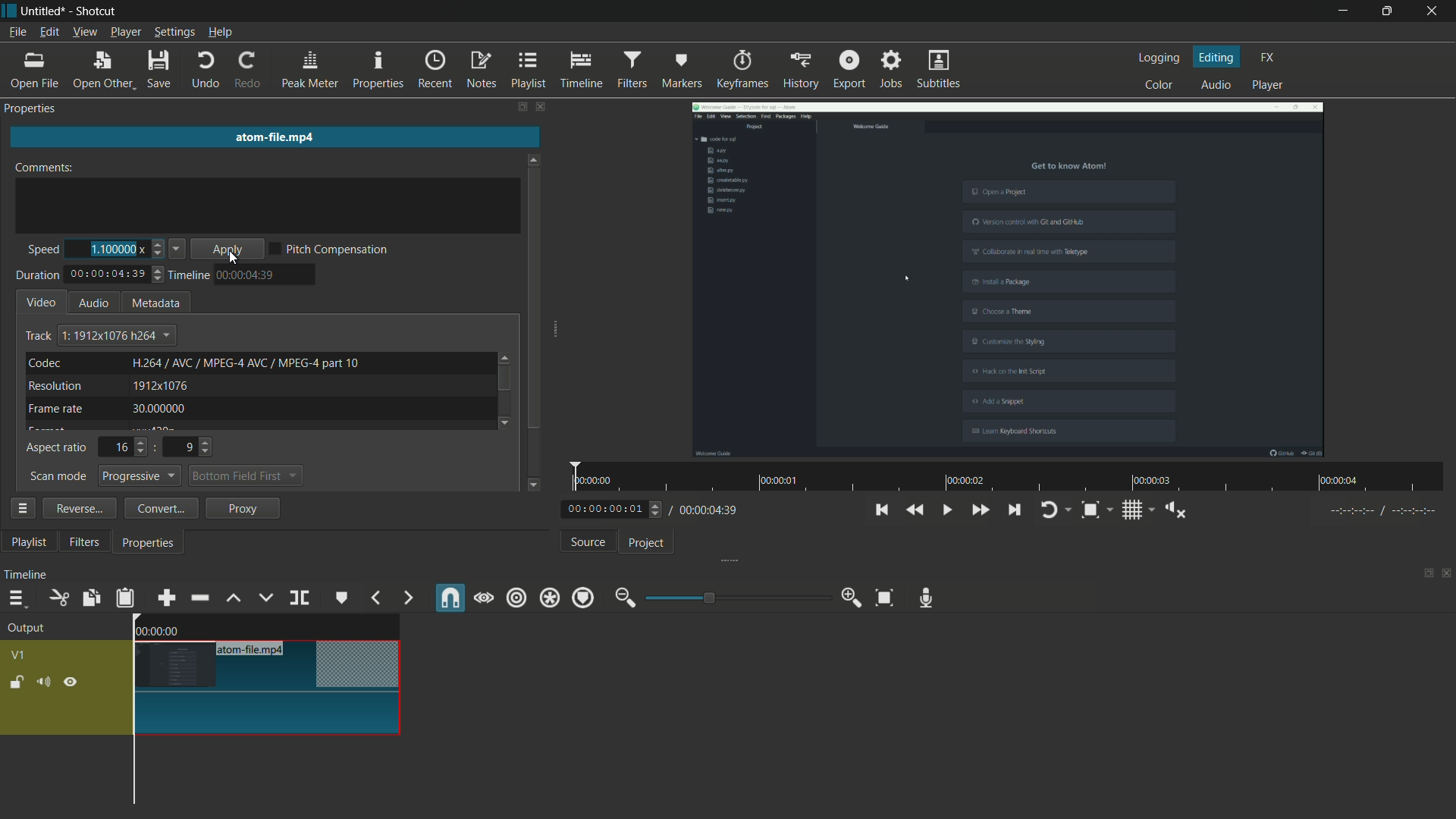 The height and width of the screenshot is (819, 1456). I want to click on logging, so click(1161, 58).